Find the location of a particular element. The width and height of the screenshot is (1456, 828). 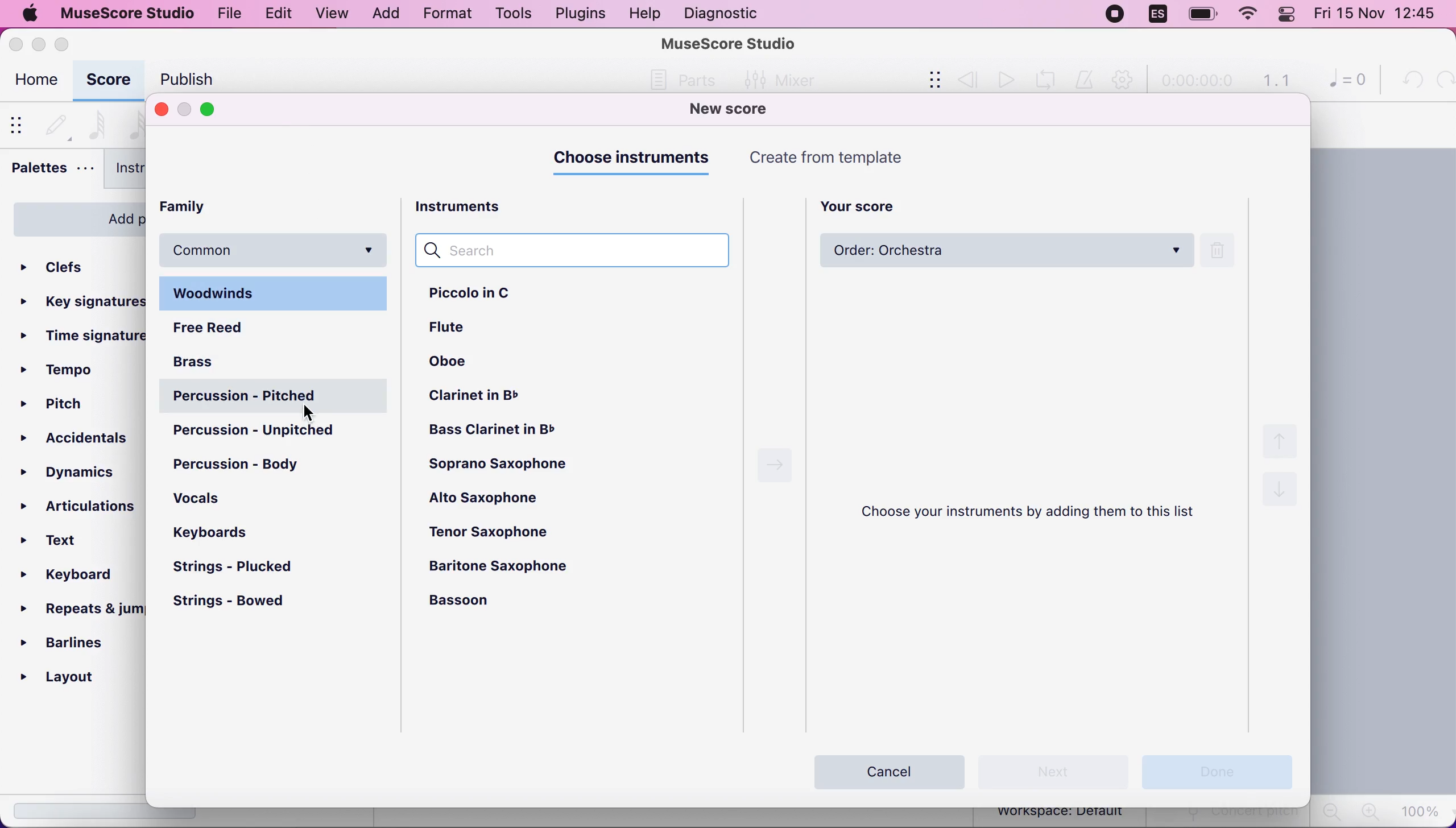

recording stopped is located at coordinates (1114, 14).